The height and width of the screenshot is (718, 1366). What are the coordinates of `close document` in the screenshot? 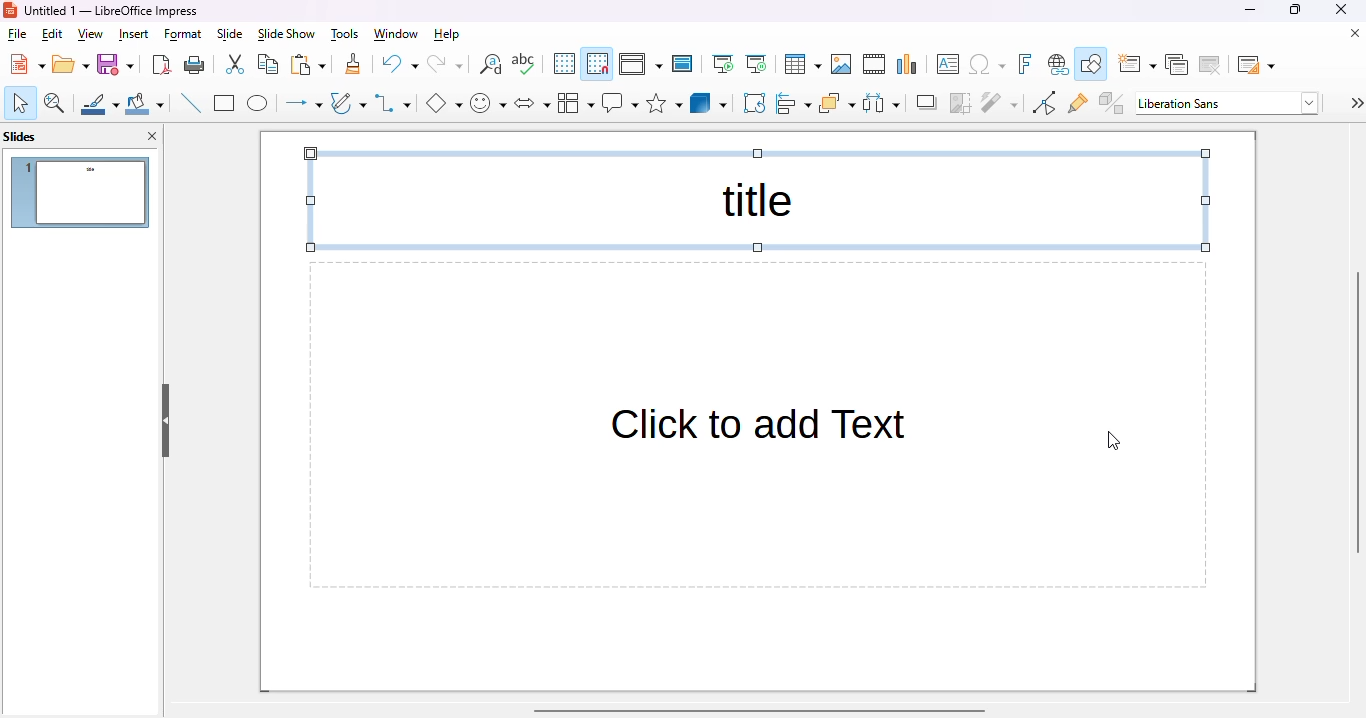 It's located at (1351, 33).